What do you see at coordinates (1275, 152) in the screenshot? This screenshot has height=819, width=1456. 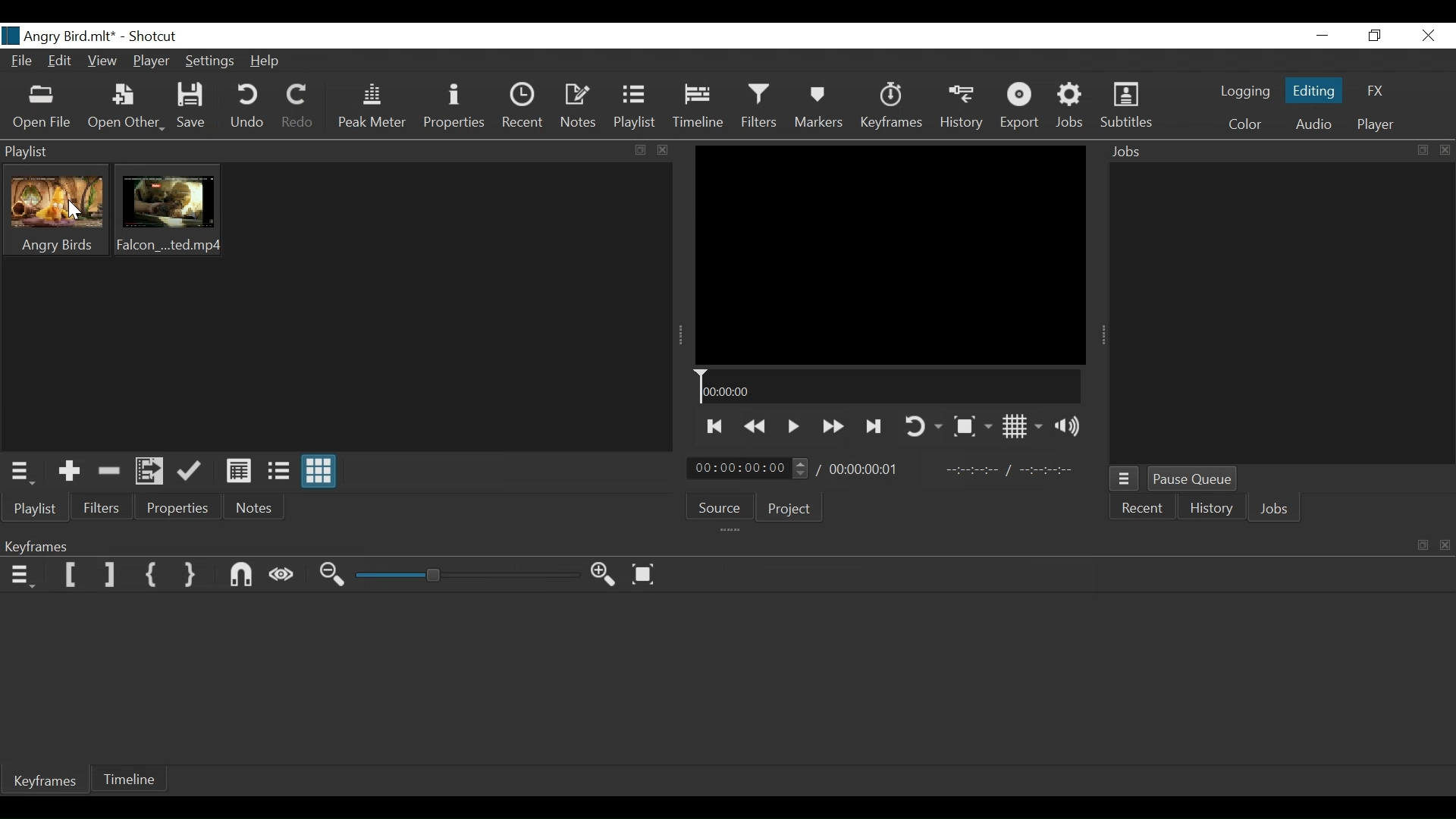 I see `Jobs Panel` at bounding box center [1275, 152].